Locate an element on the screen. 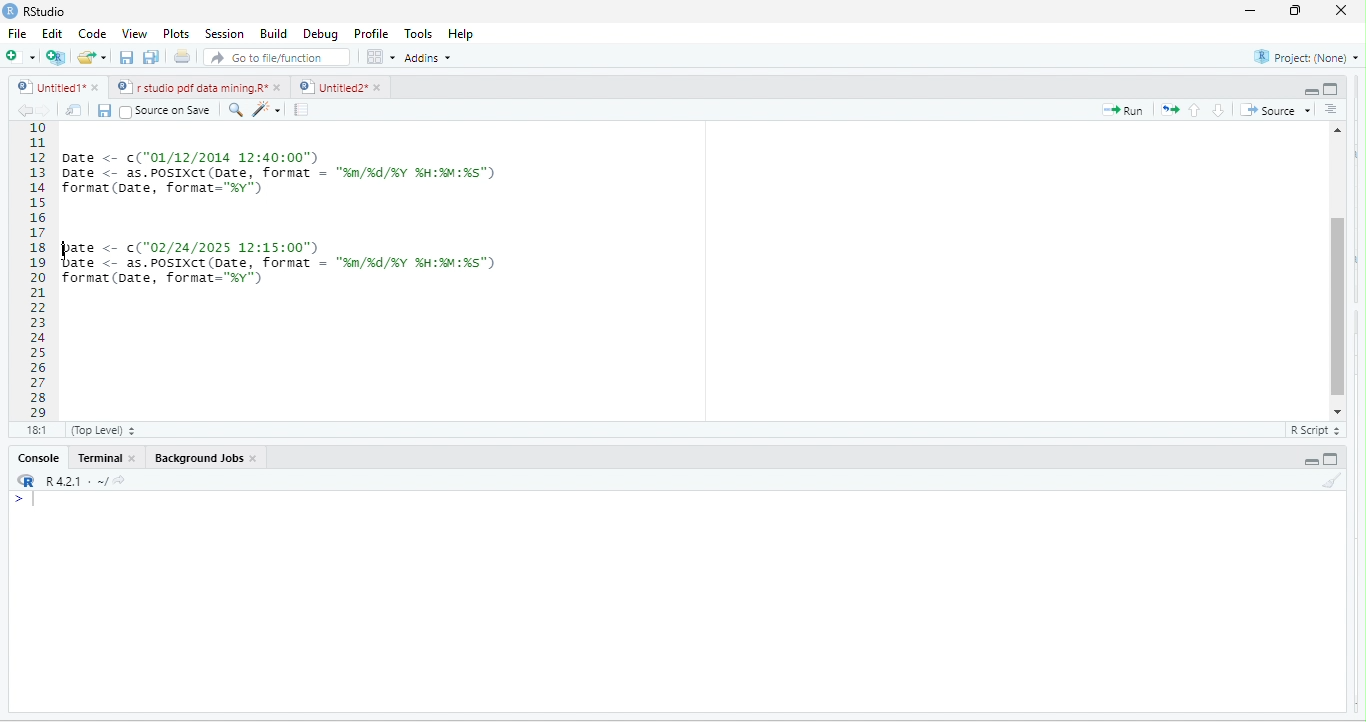 This screenshot has width=1366, height=722. R421: ~/ is located at coordinates (84, 480).